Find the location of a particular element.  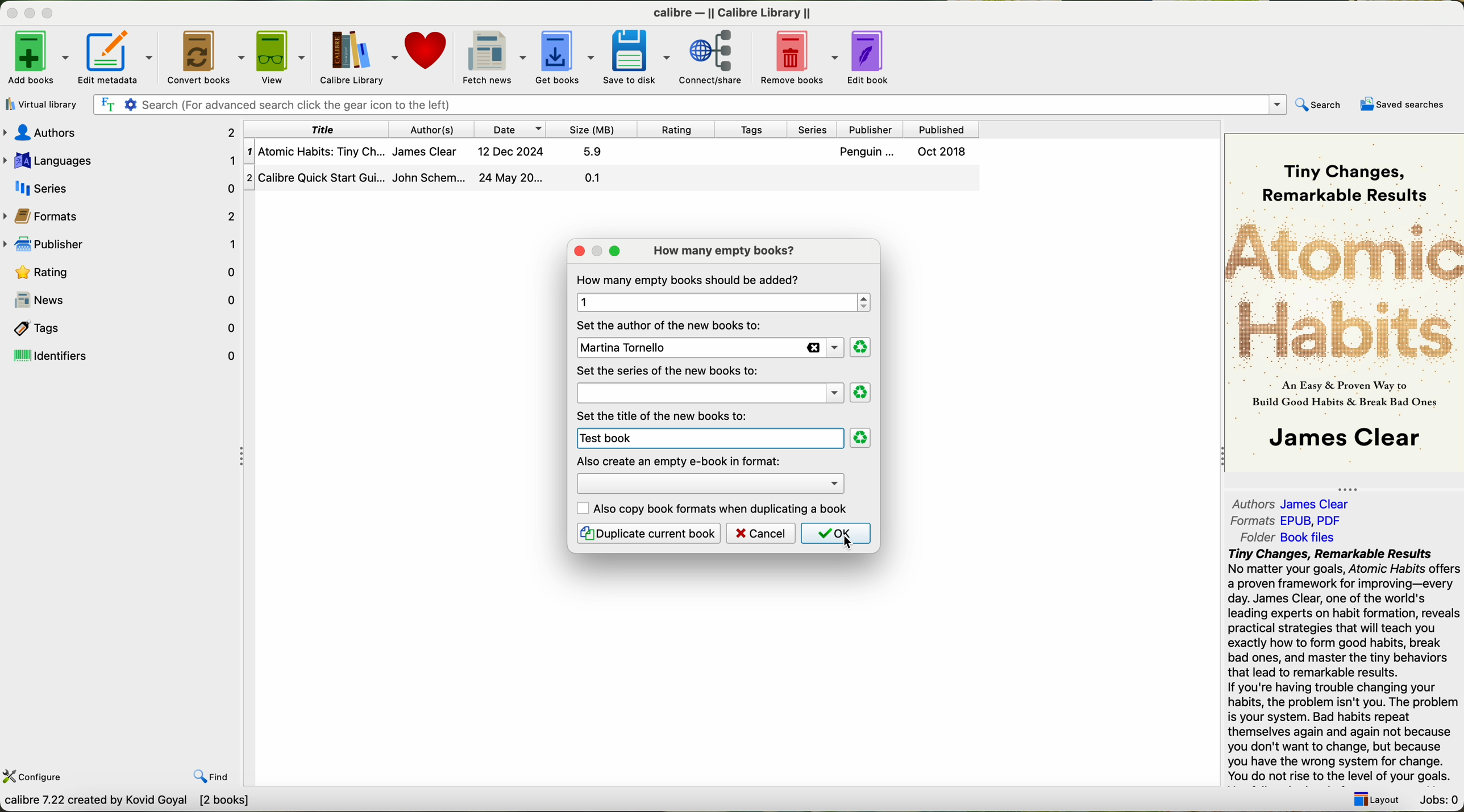

published is located at coordinates (946, 130).